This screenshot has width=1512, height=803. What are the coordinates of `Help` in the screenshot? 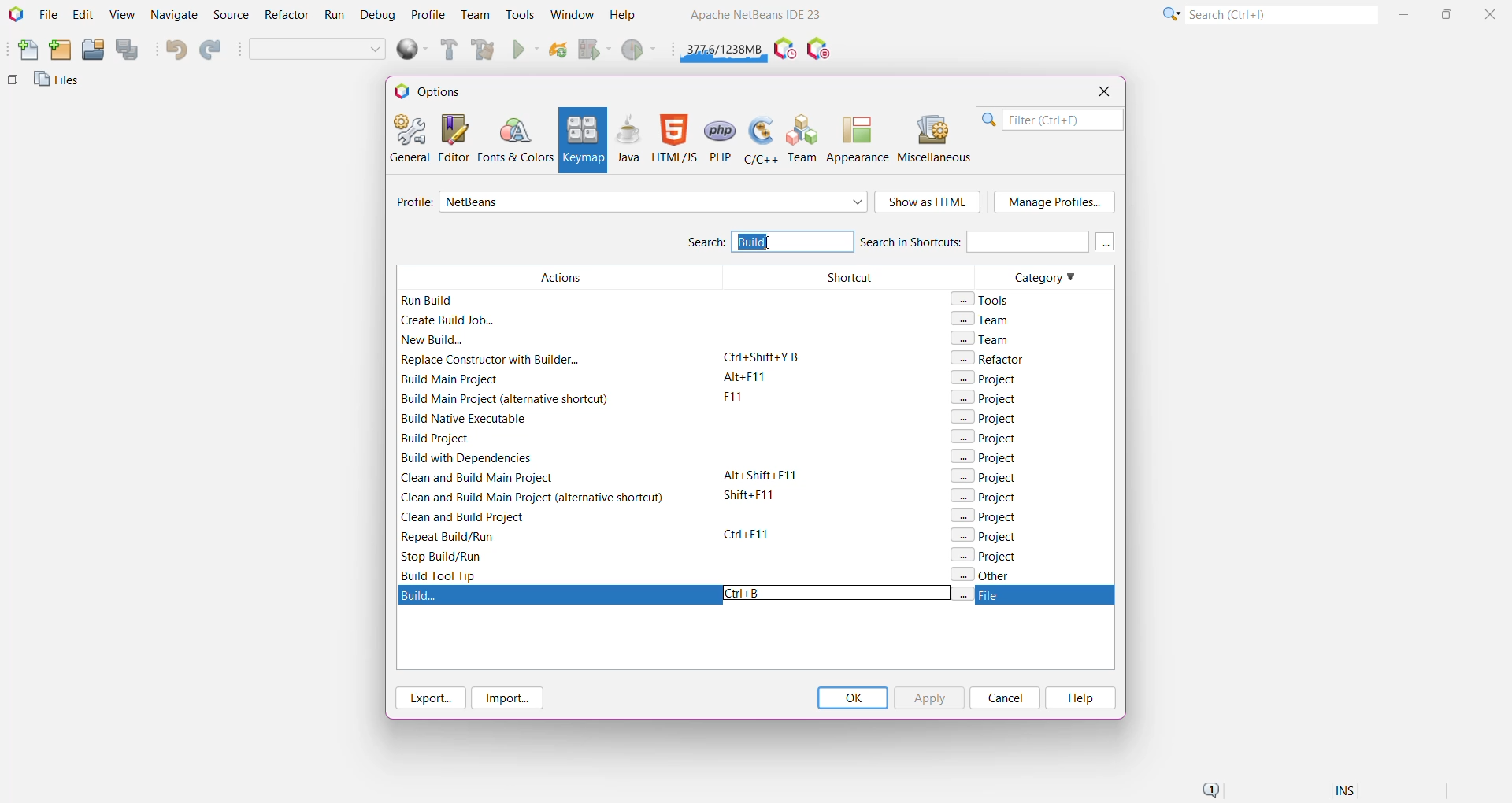 It's located at (1079, 698).